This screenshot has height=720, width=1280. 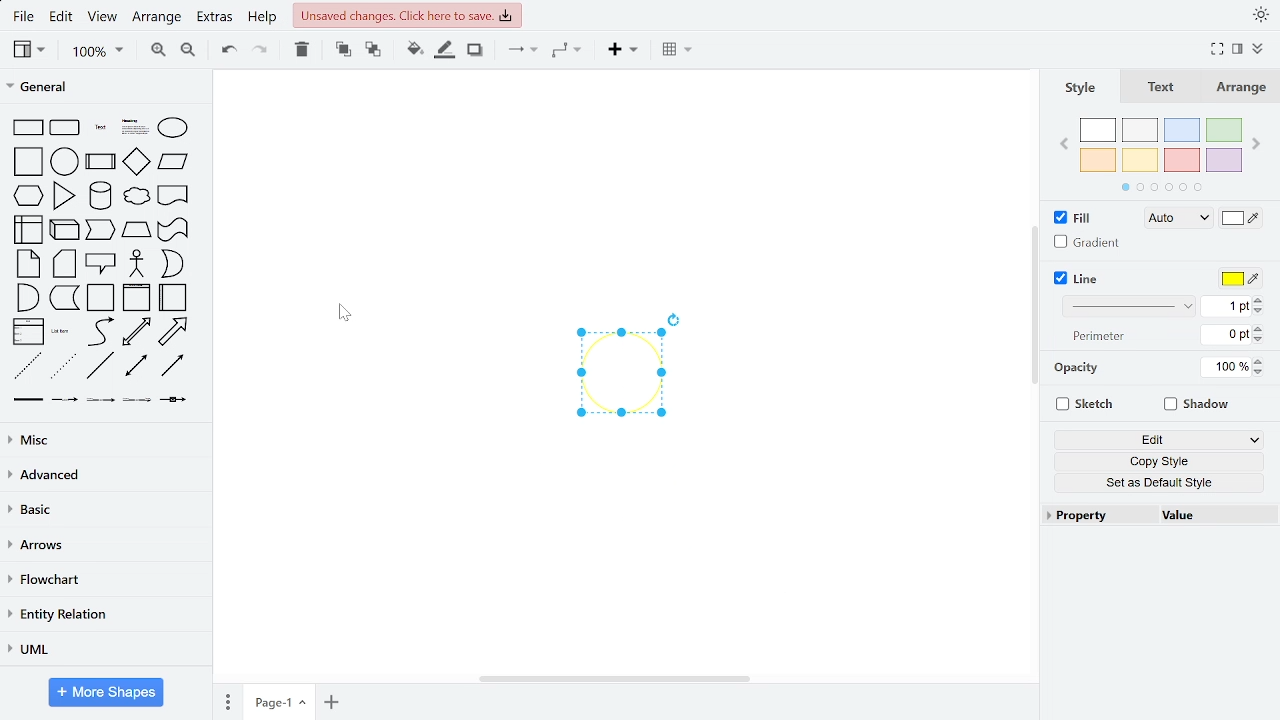 What do you see at coordinates (1101, 131) in the screenshot?
I see `white` at bounding box center [1101, 131].